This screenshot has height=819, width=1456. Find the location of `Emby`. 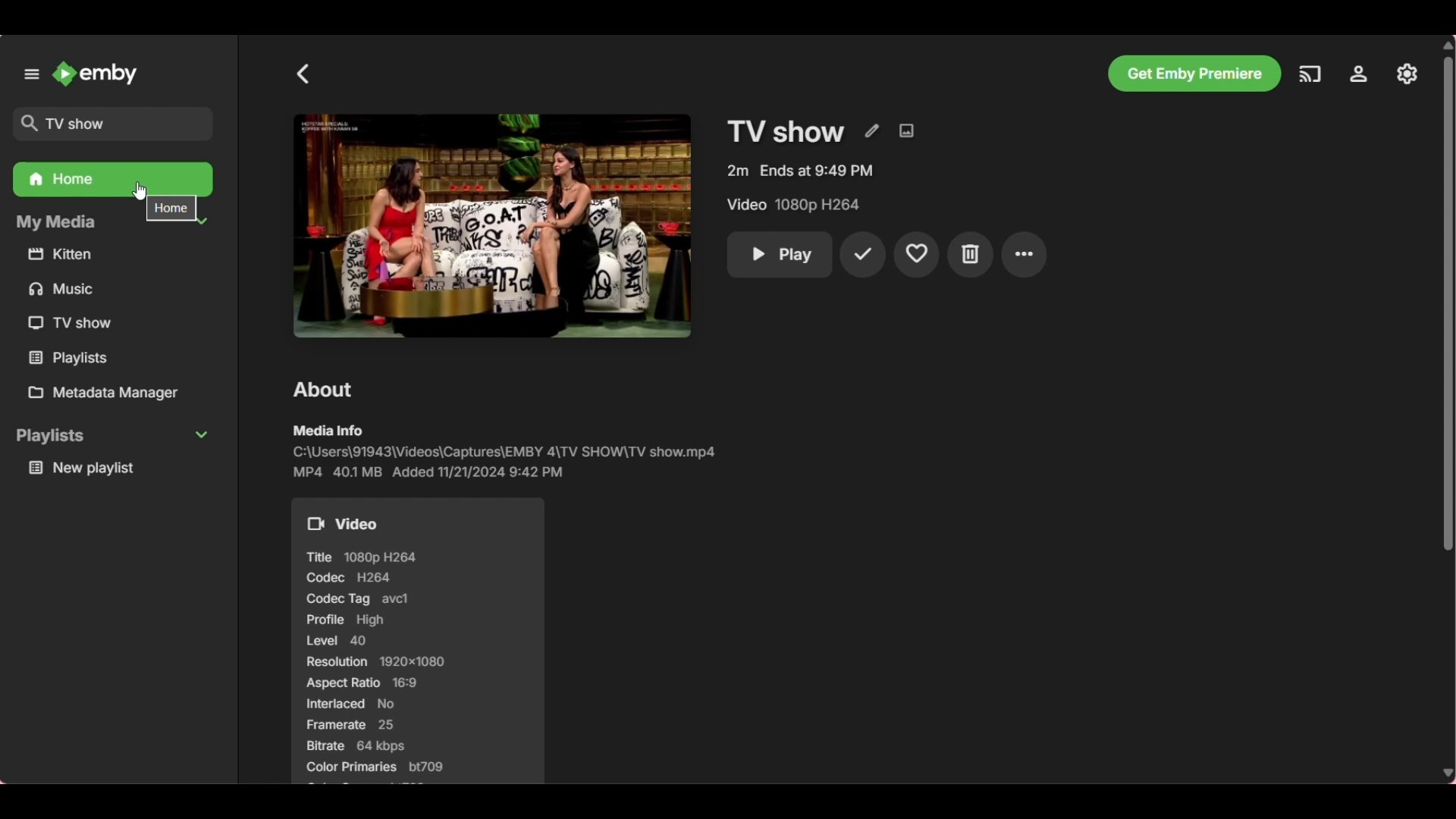

Emby is located at coordinates (96, 73).